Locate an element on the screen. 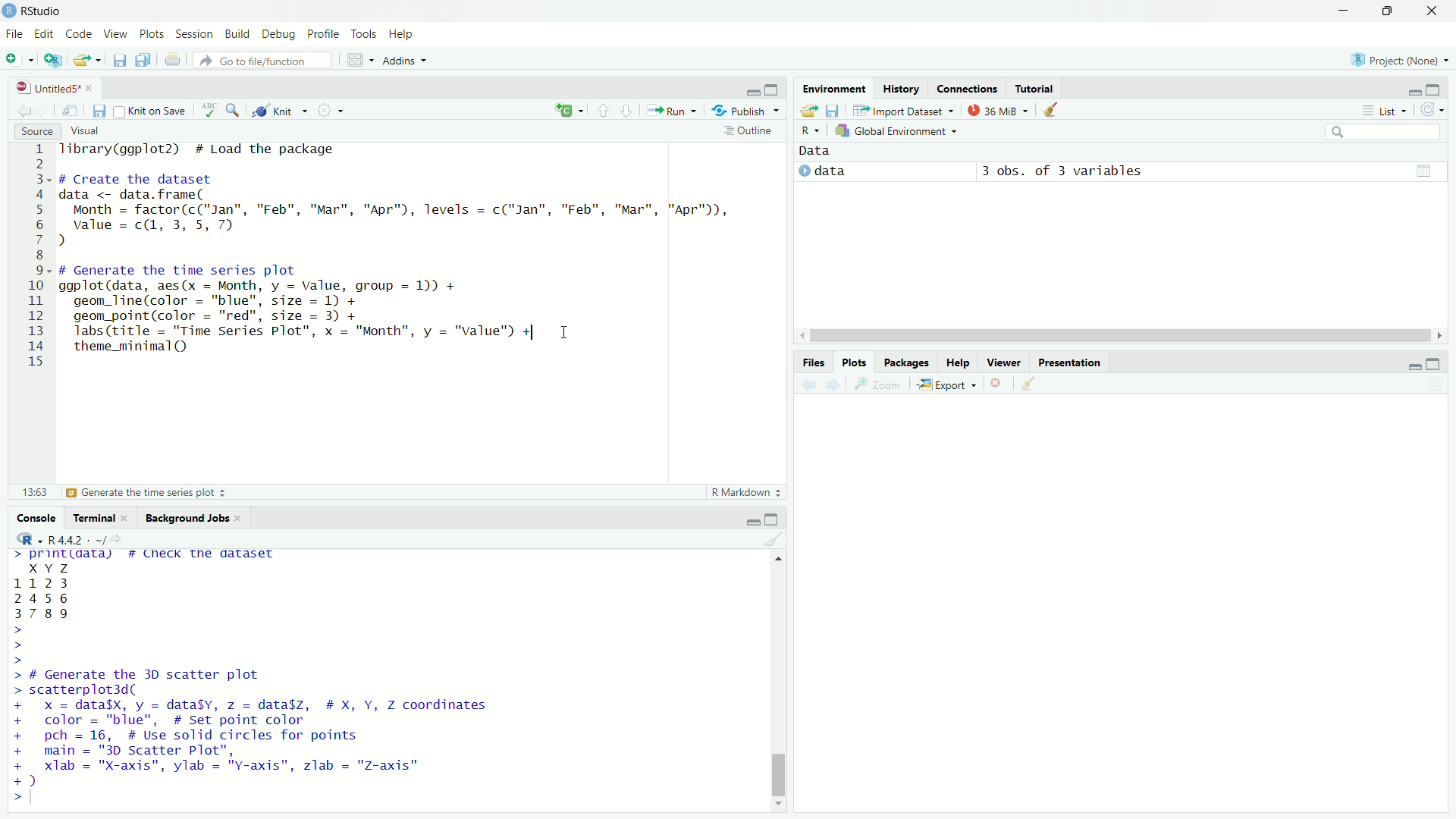  code to create the dataset is located at coordinates (398, 210).